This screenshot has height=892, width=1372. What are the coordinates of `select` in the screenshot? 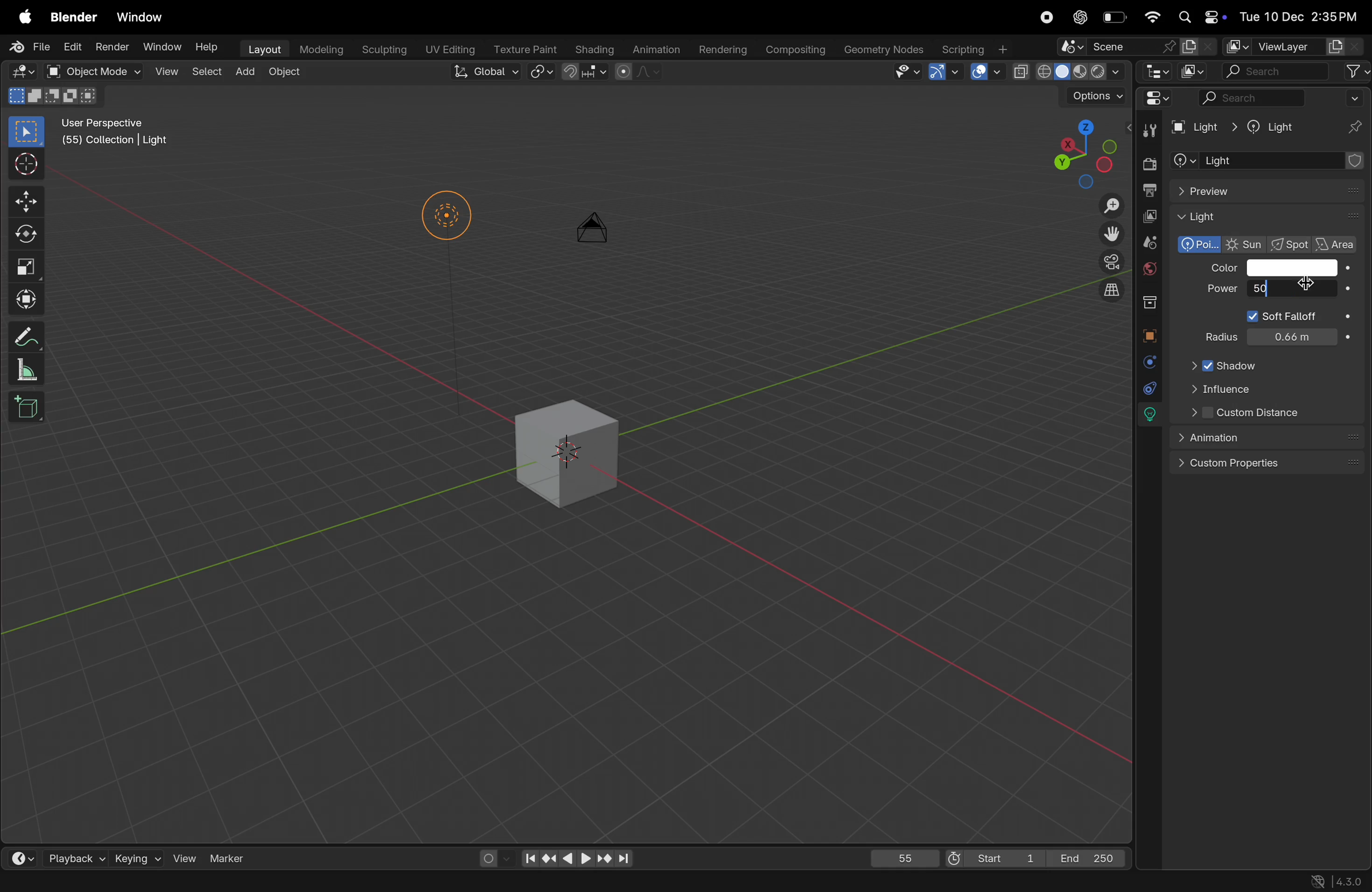 It's located at (28, 882).